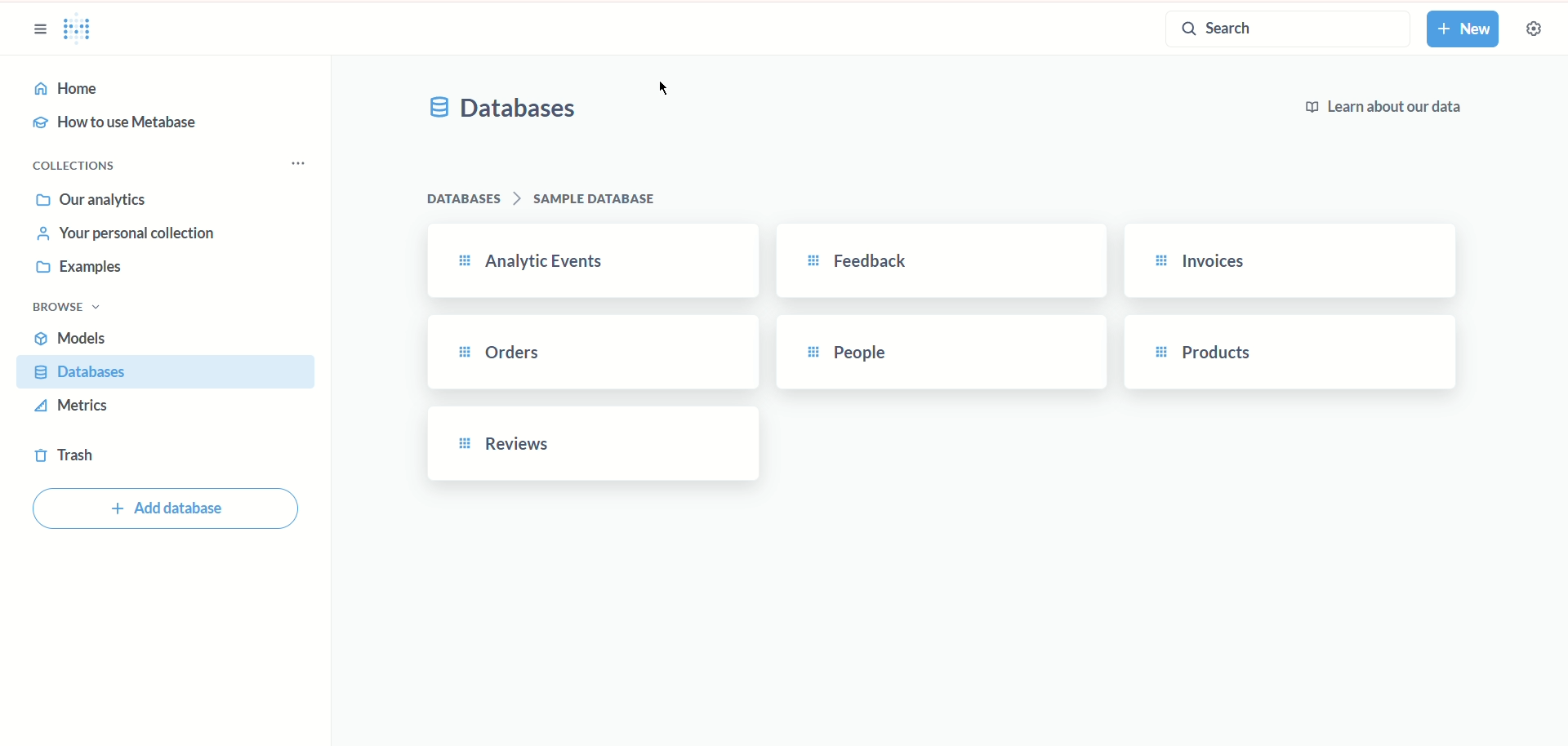 The height and width of the screenshot is (746, 1568). What do you see at coordinates (1291, 262) in the screenshot?
I see `invoices` at bounding box center [1291, 262].